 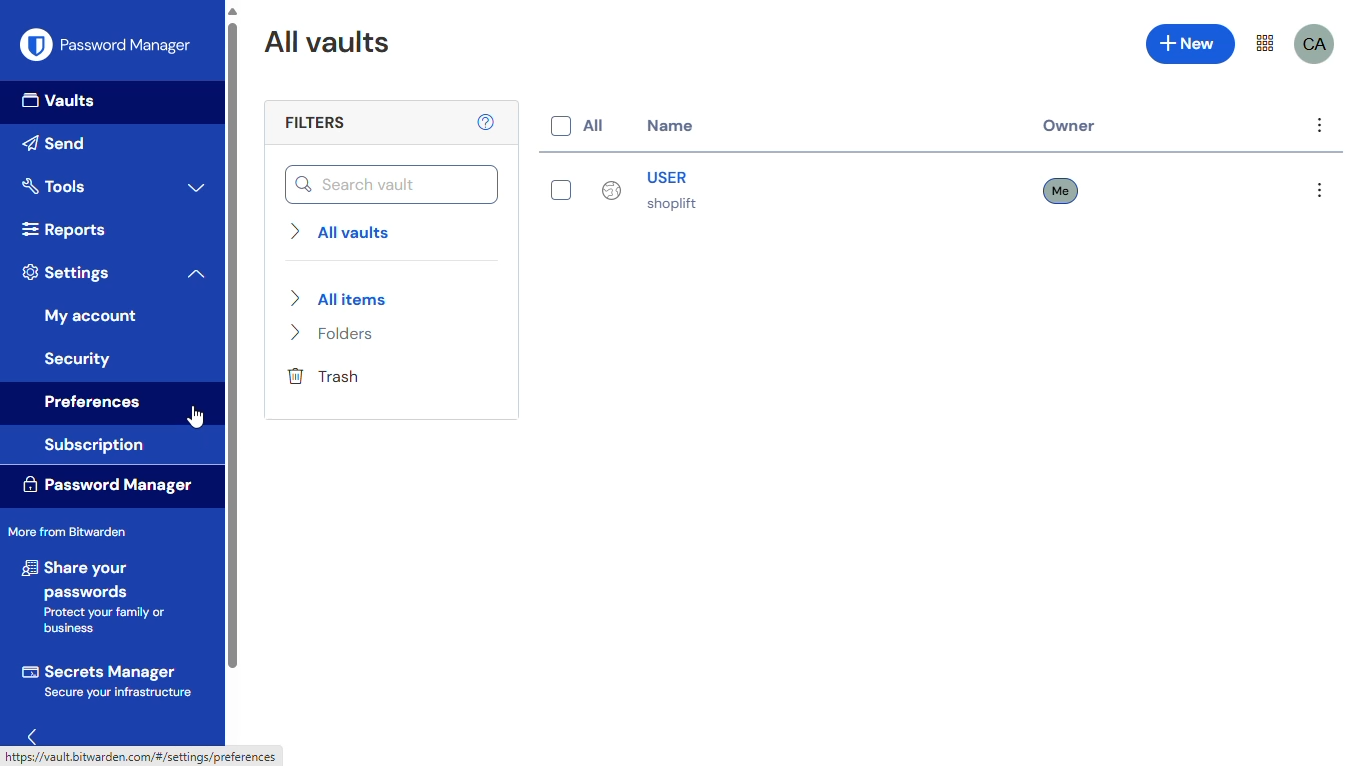 I want to click on all items, so click(x=338, y=298).